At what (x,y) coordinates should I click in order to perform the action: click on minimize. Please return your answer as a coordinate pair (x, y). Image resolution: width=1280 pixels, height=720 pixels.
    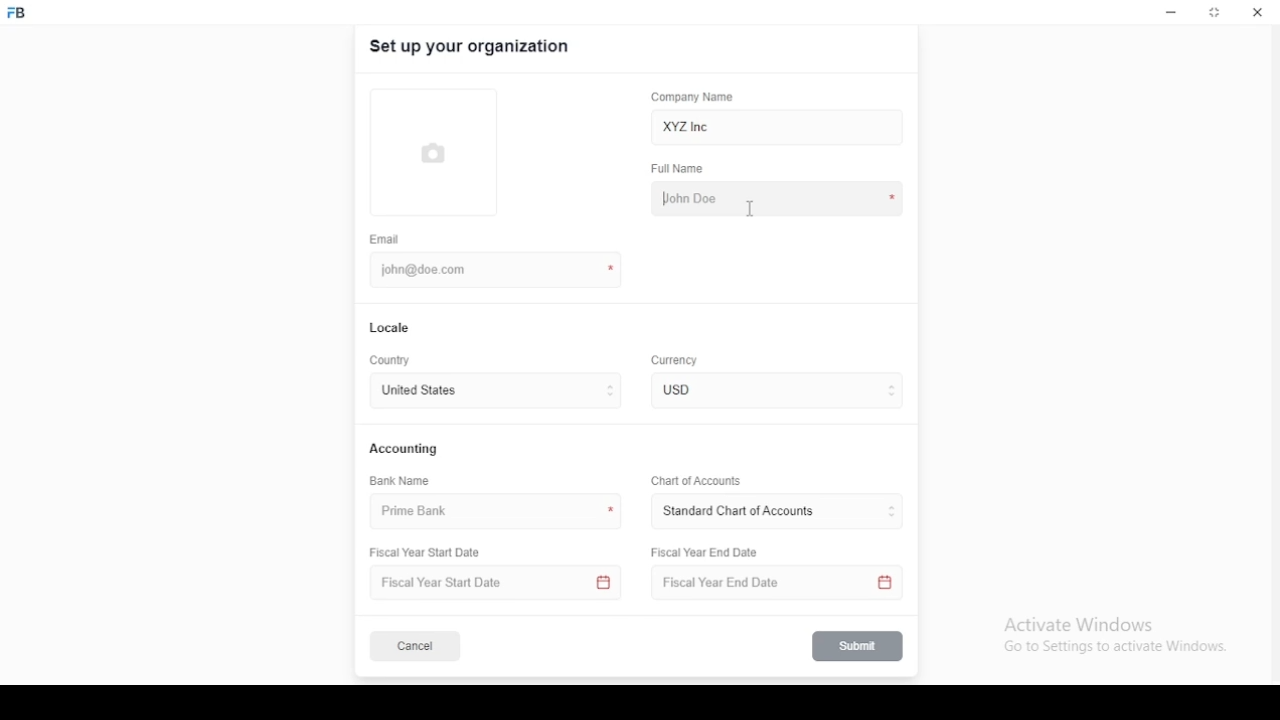
    Looking at the image, I should click on (1171, 13).